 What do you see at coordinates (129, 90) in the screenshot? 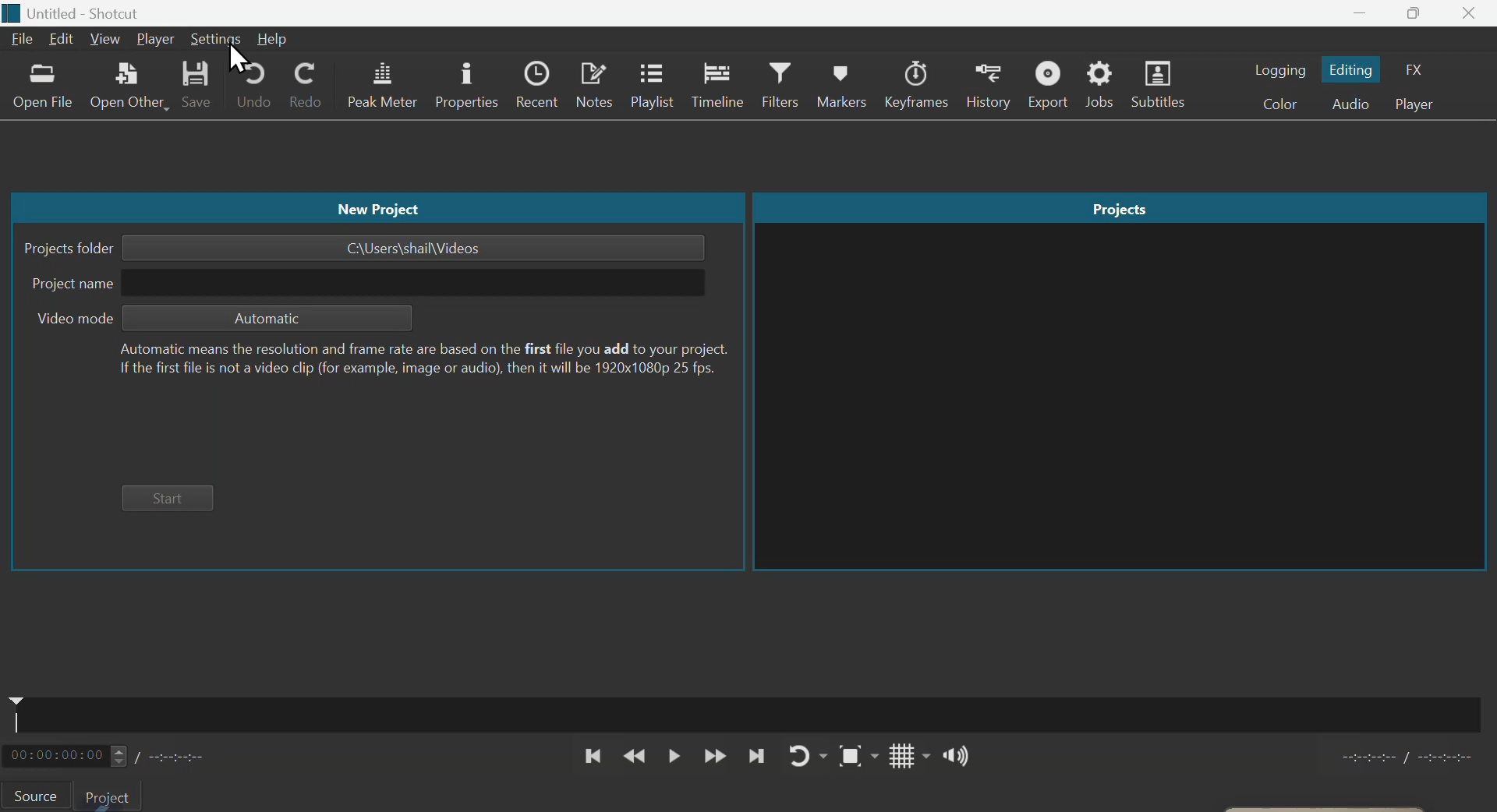
I see `Open another` at bounding box center [129, 90].